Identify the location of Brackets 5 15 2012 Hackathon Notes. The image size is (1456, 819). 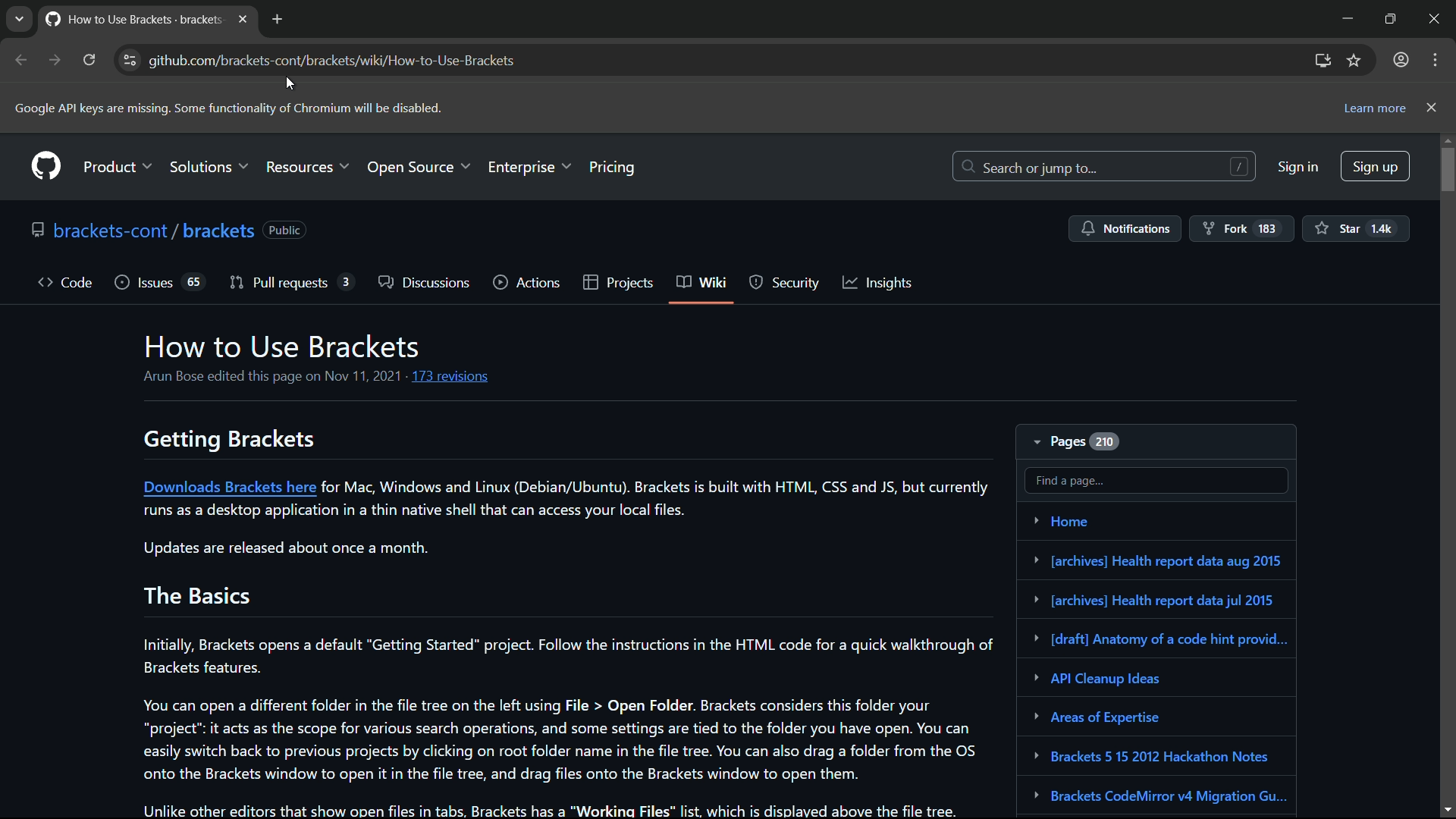
(1155, 761).